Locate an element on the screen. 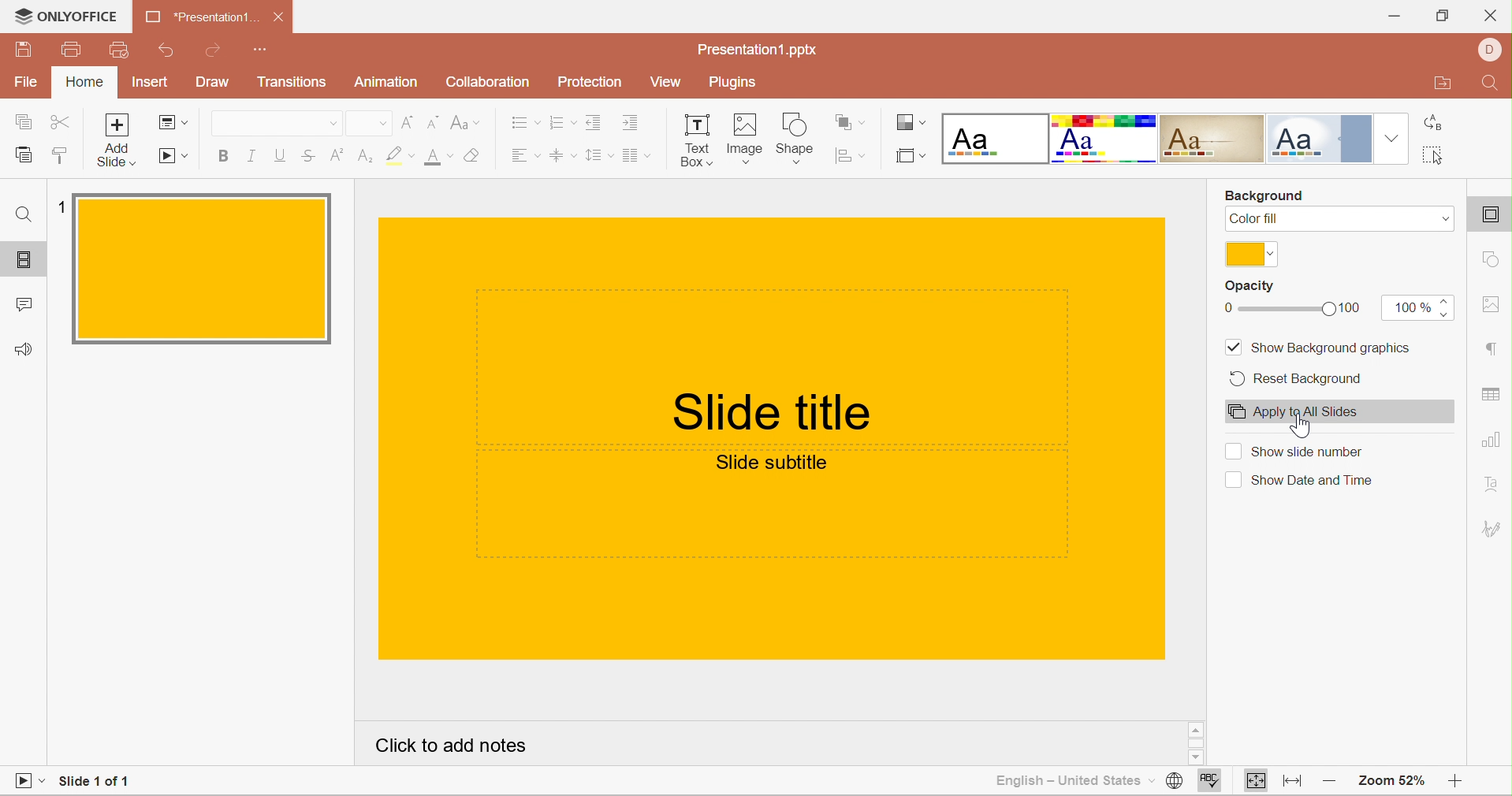 This screenshot has height=796, width=1512. Image is located at coordinates (744, 136).